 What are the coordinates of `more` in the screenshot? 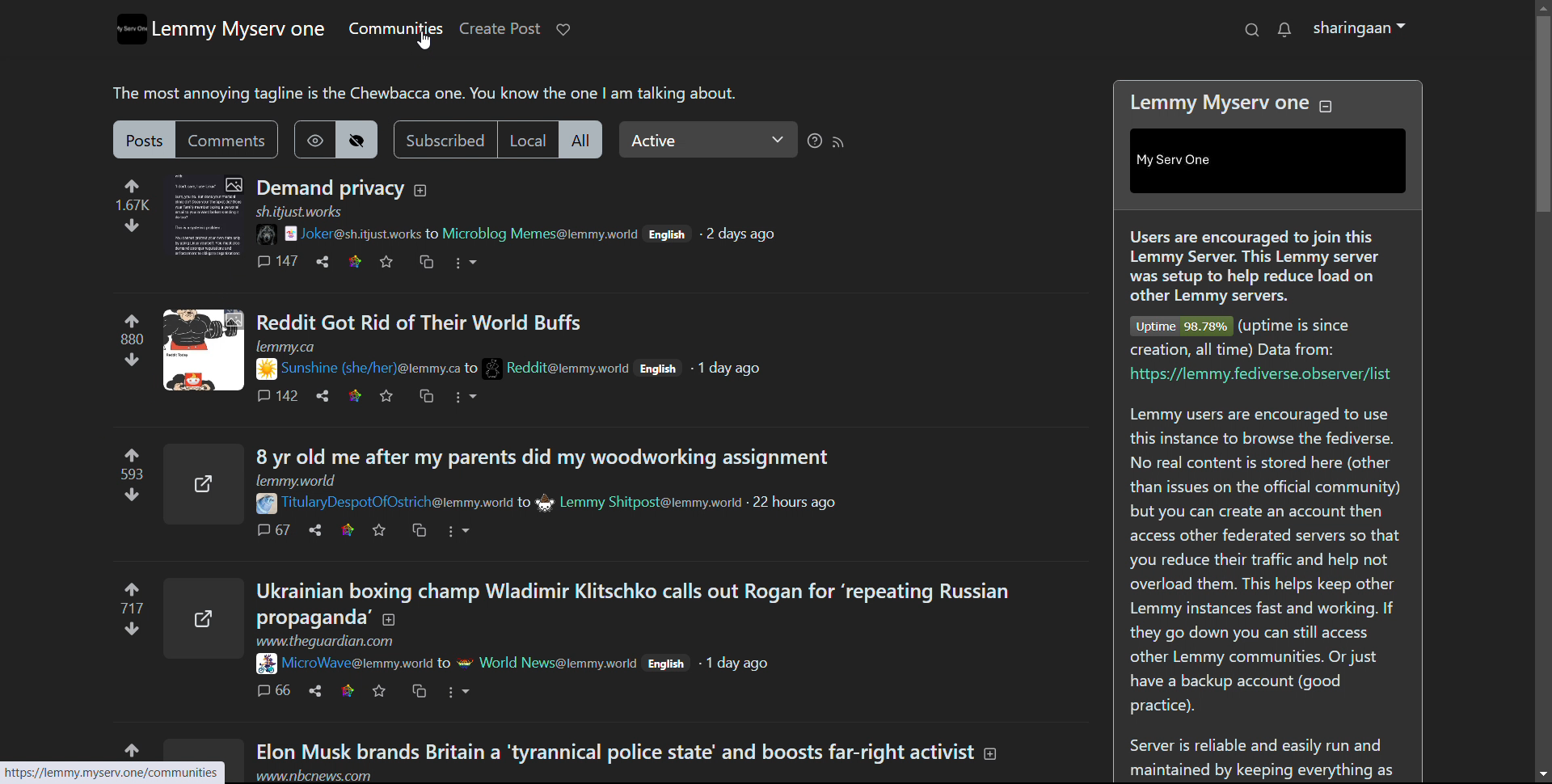 It's located at (461, 532).